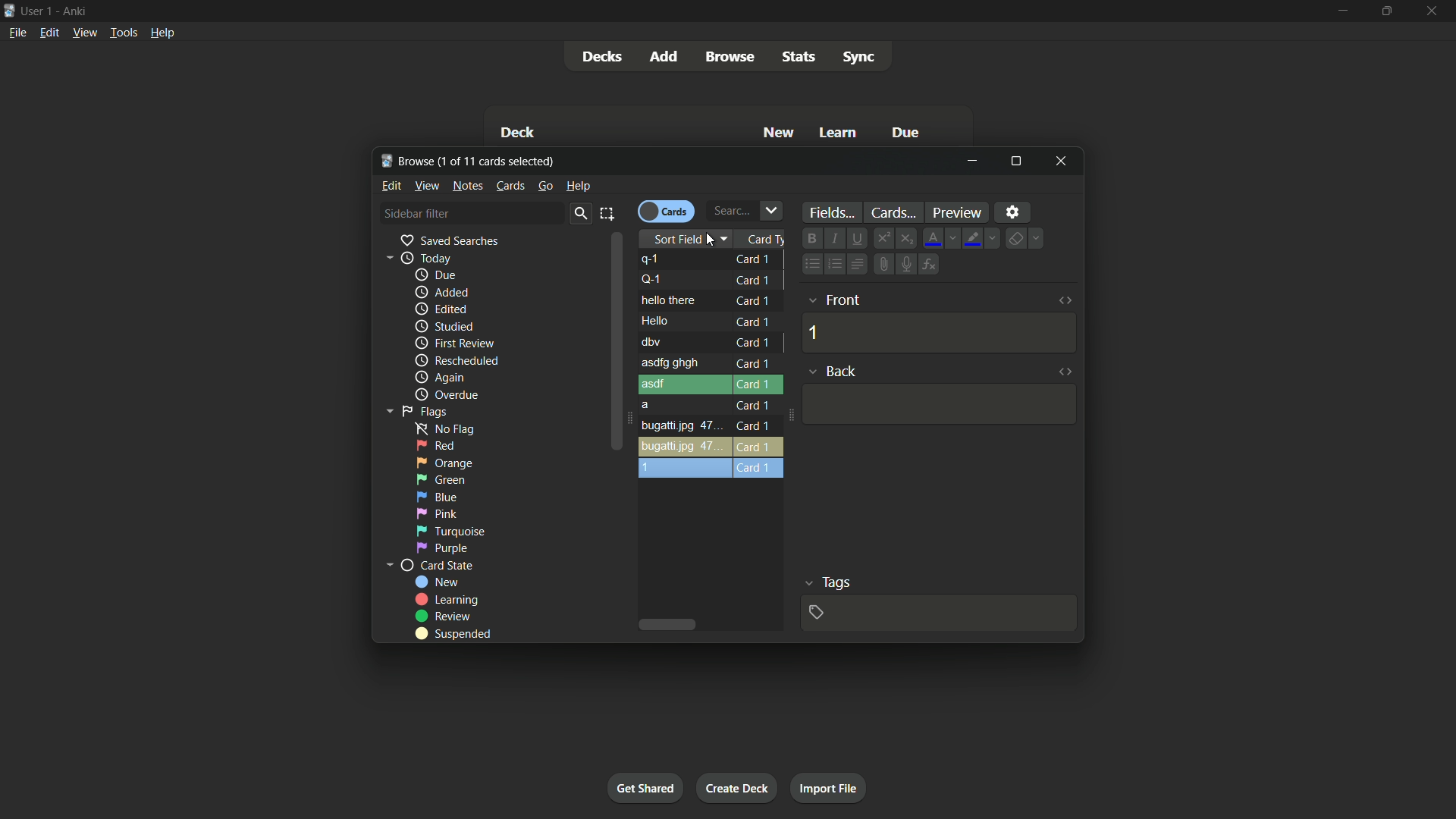 The height and width of the screenshot is (819, 1456). I want to click on due, so click(436, 275).